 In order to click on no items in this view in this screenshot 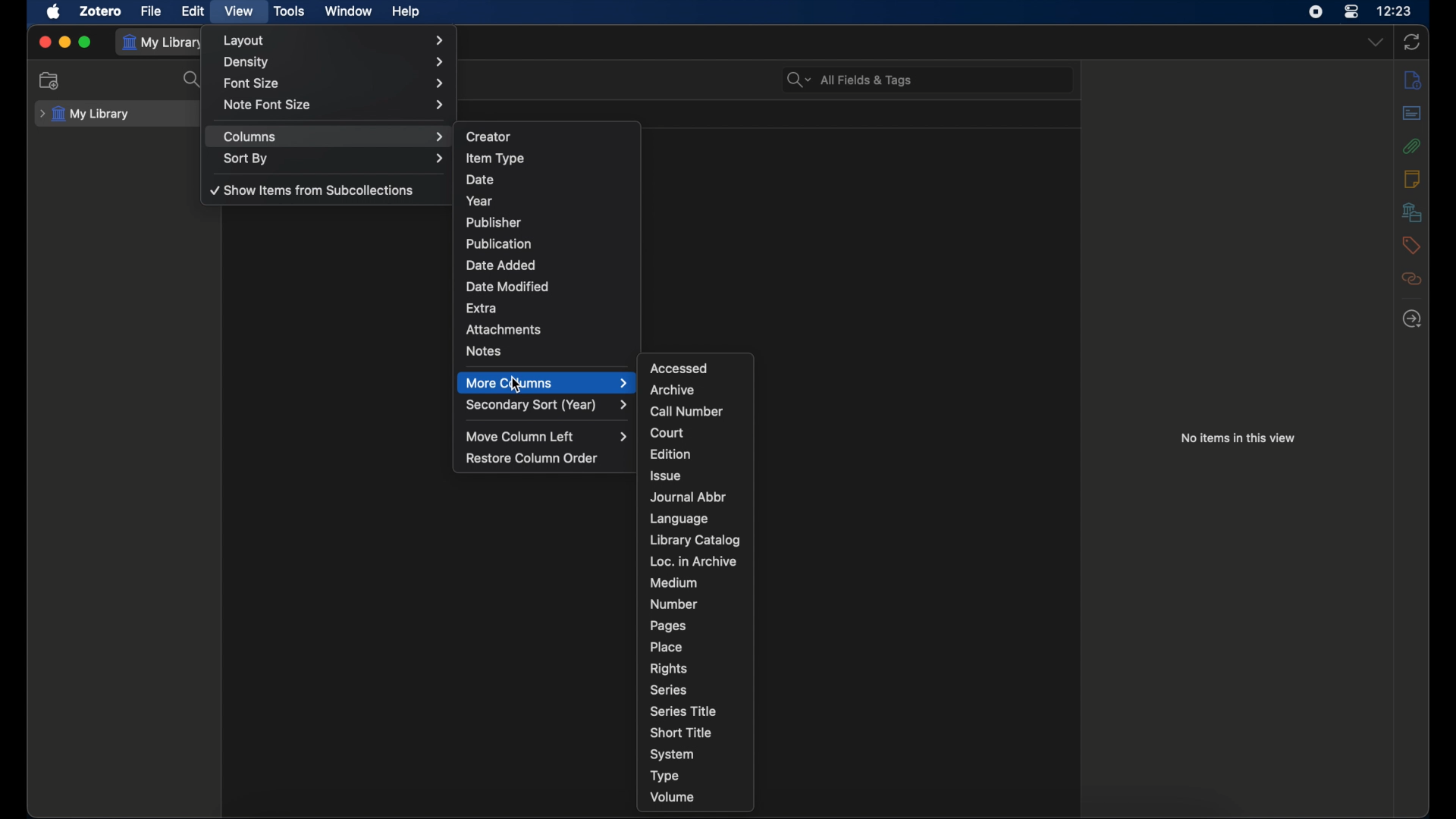, I will do `click(1241, 438)`.